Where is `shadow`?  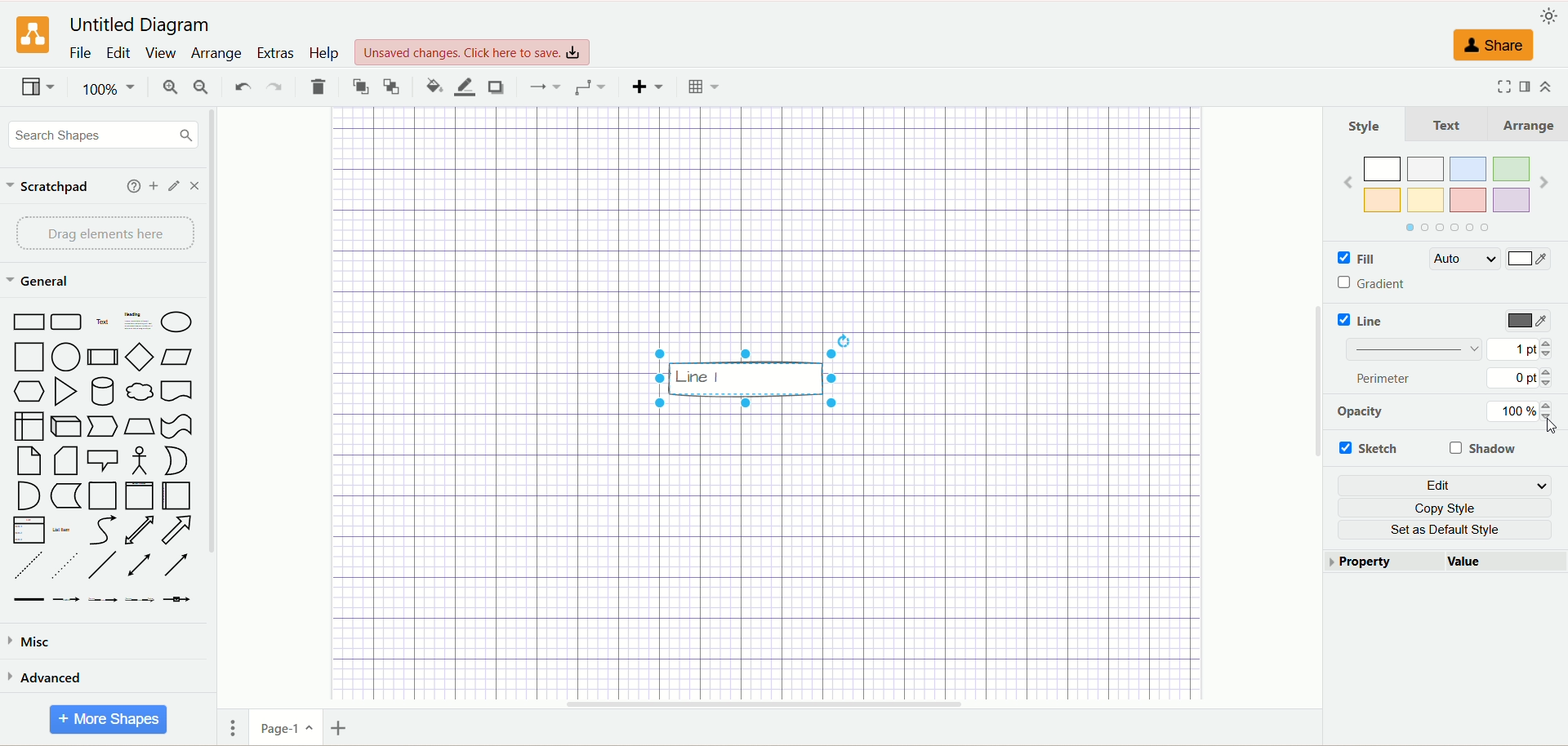 shadow is located at coordinates (497, 87).